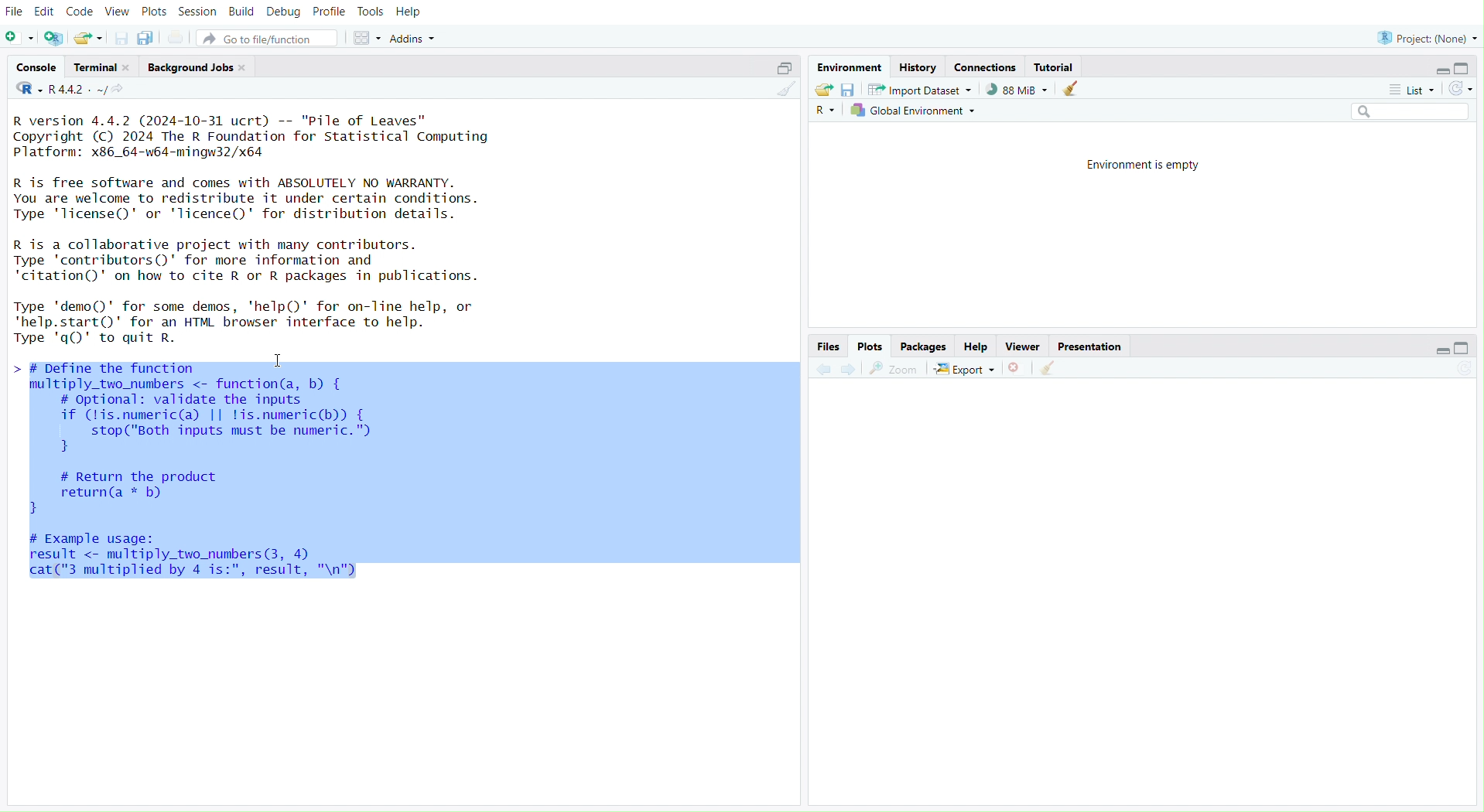 The image size is (1484, 812). What do you see at coordinates (180, 37) in the screenshot?
I see `Print the current file` at bounding box center [180, 37].